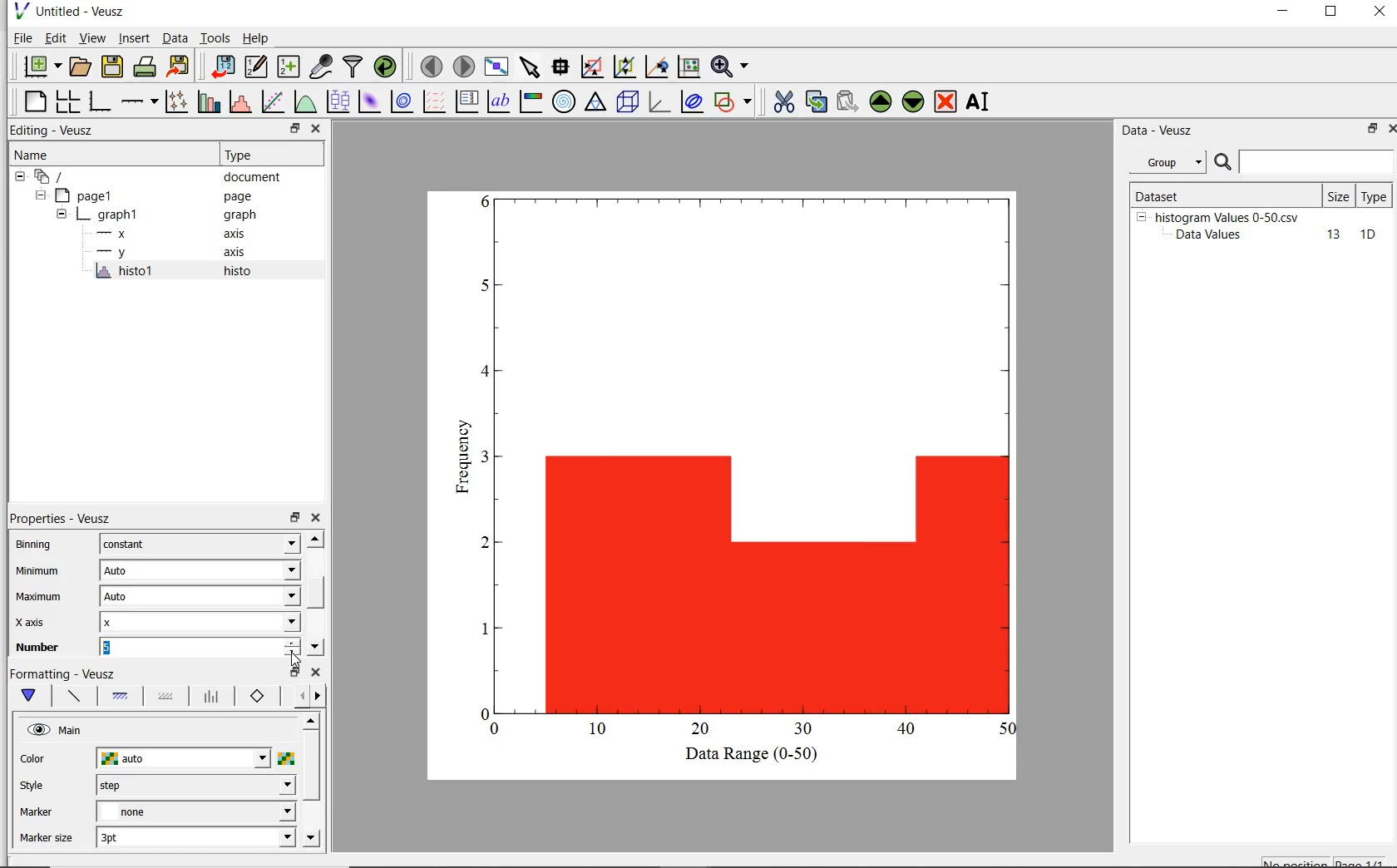  Describe the element at coordinates (748, 464) in the screenshot. I see `Graph` at that location.